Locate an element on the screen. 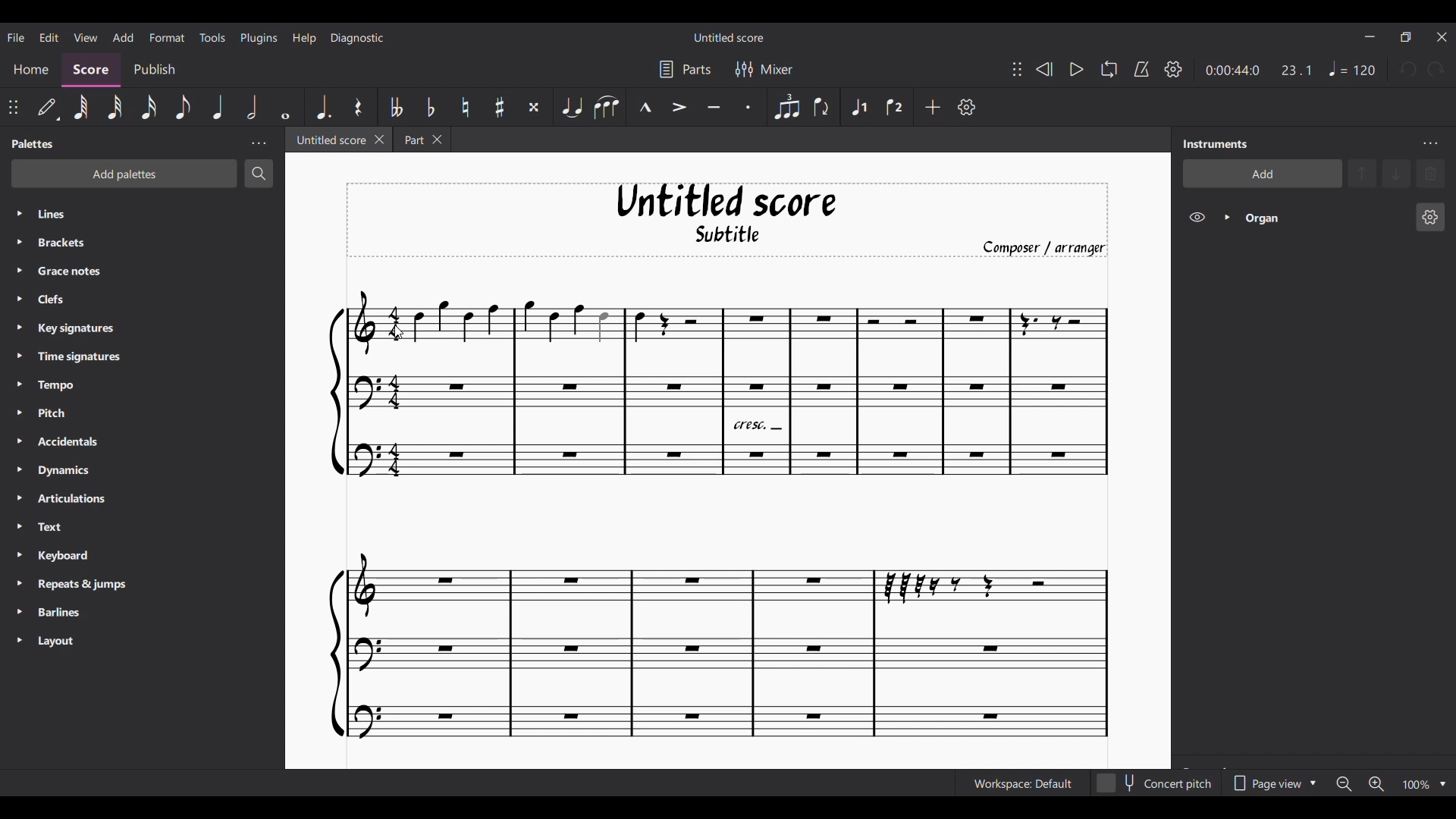 The width and height of the screenshot is (1456, 819). Add palette is located at coordinates (124, 174).